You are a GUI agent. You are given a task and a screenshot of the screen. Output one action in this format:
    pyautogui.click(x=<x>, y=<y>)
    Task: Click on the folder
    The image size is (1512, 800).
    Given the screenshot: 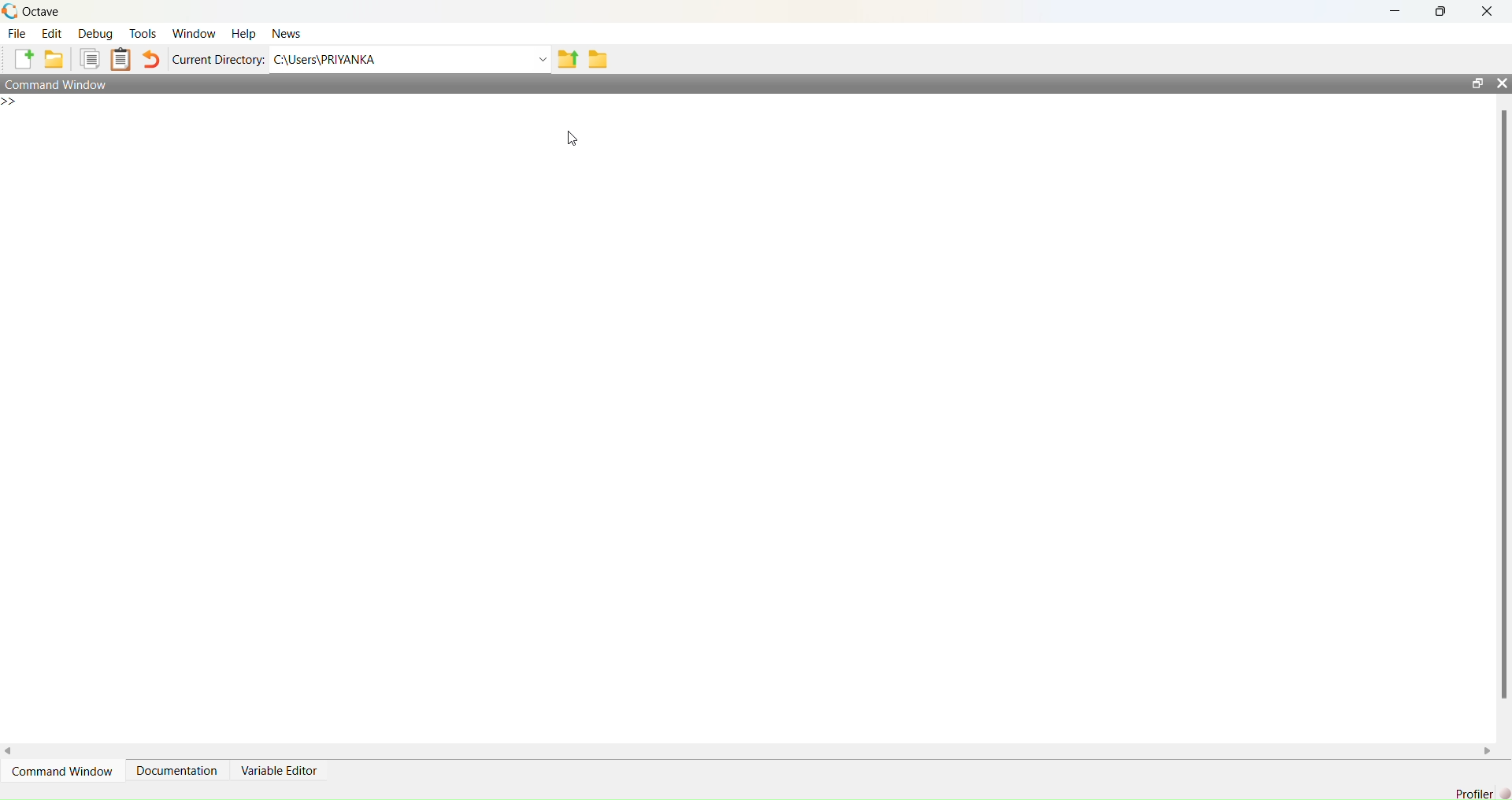 What is the action you would take?
    pyautogui.click(x=598, y=58)
    